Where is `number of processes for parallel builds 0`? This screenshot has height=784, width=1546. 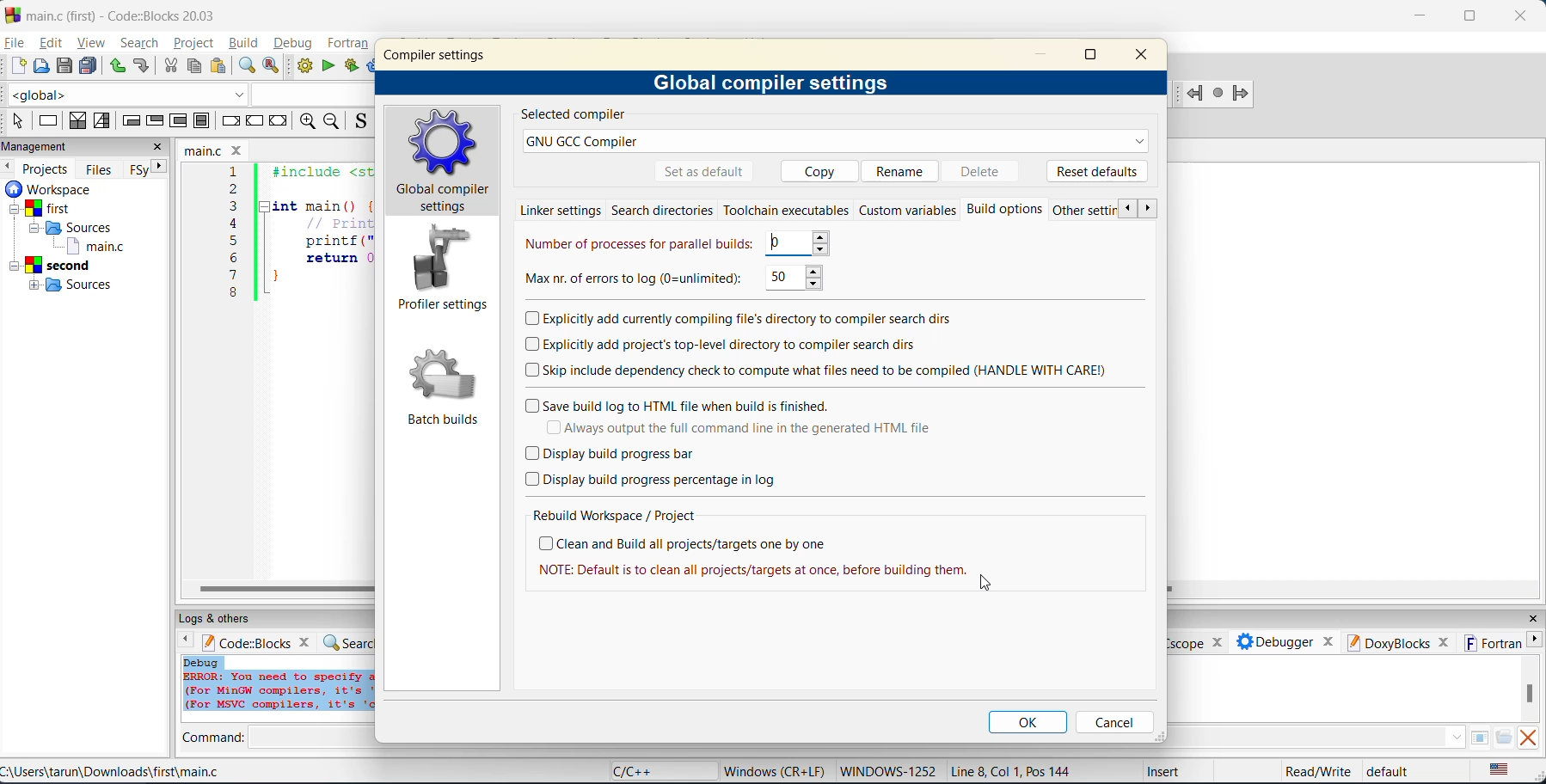
number of processes for parallel builds 0 is located at coordinates (676, 243).